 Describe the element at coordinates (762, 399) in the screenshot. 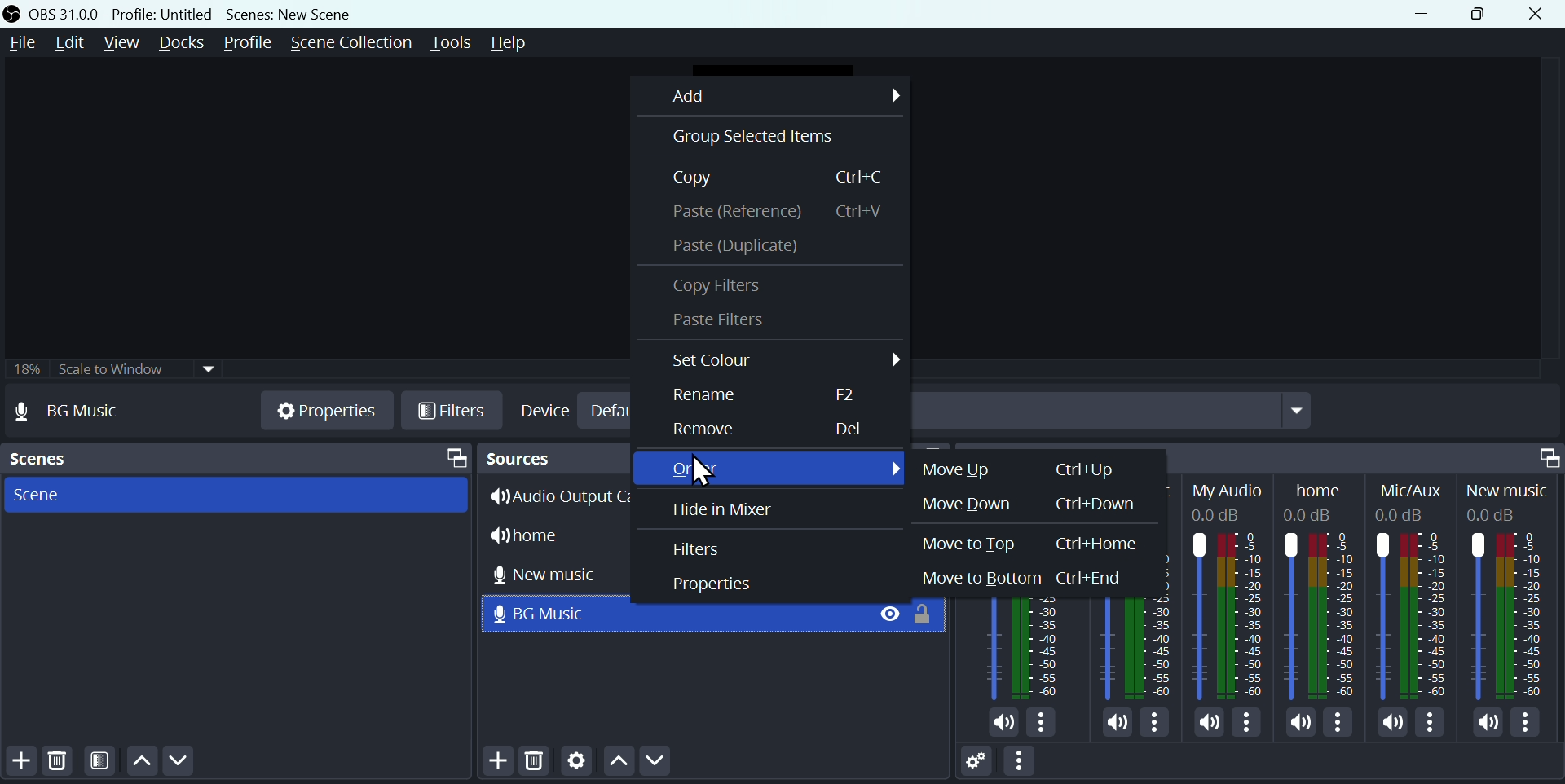

I see `Rename` at that location.